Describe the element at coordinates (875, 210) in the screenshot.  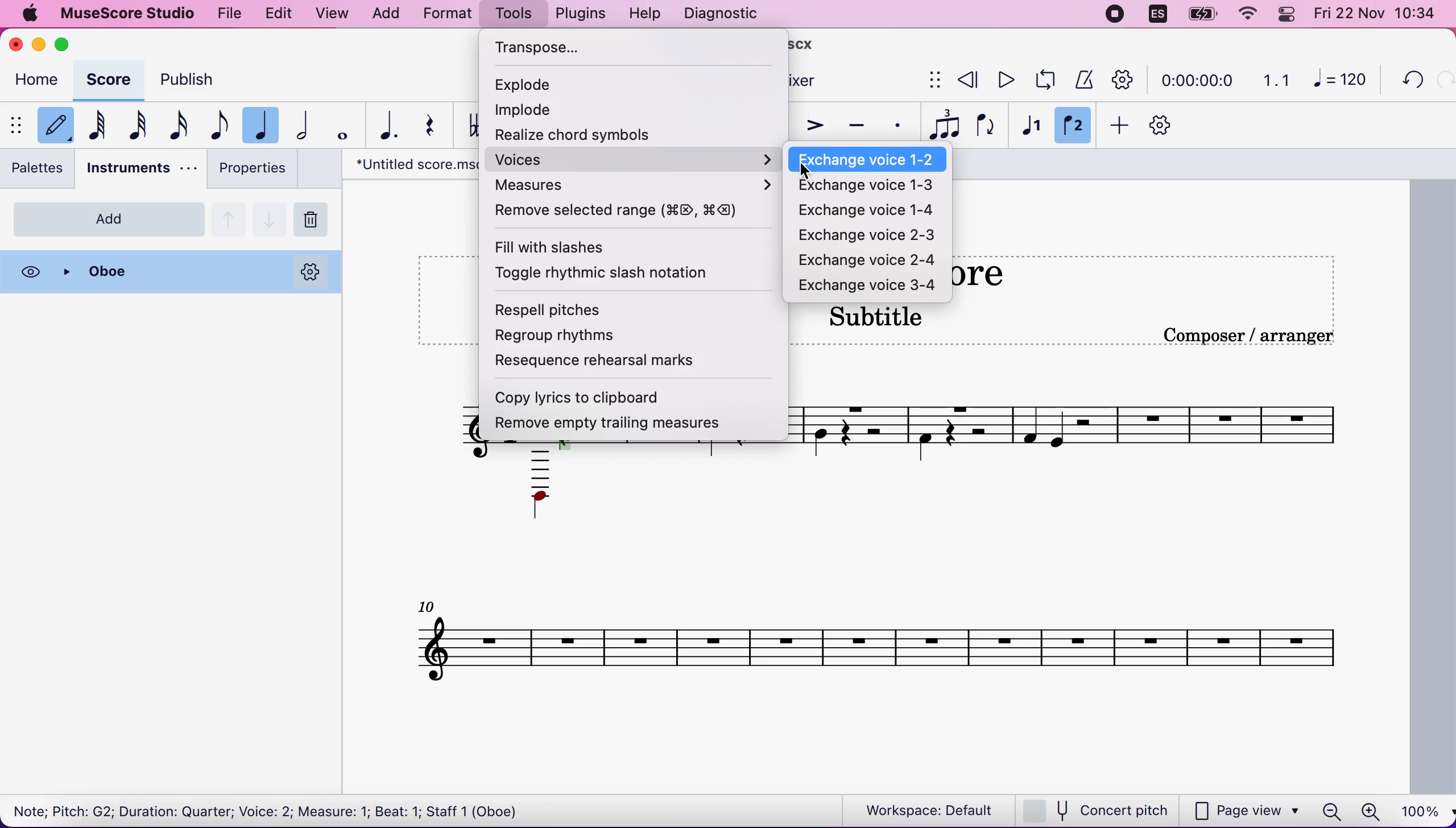
I see `exchange voice 1-4` at that location.